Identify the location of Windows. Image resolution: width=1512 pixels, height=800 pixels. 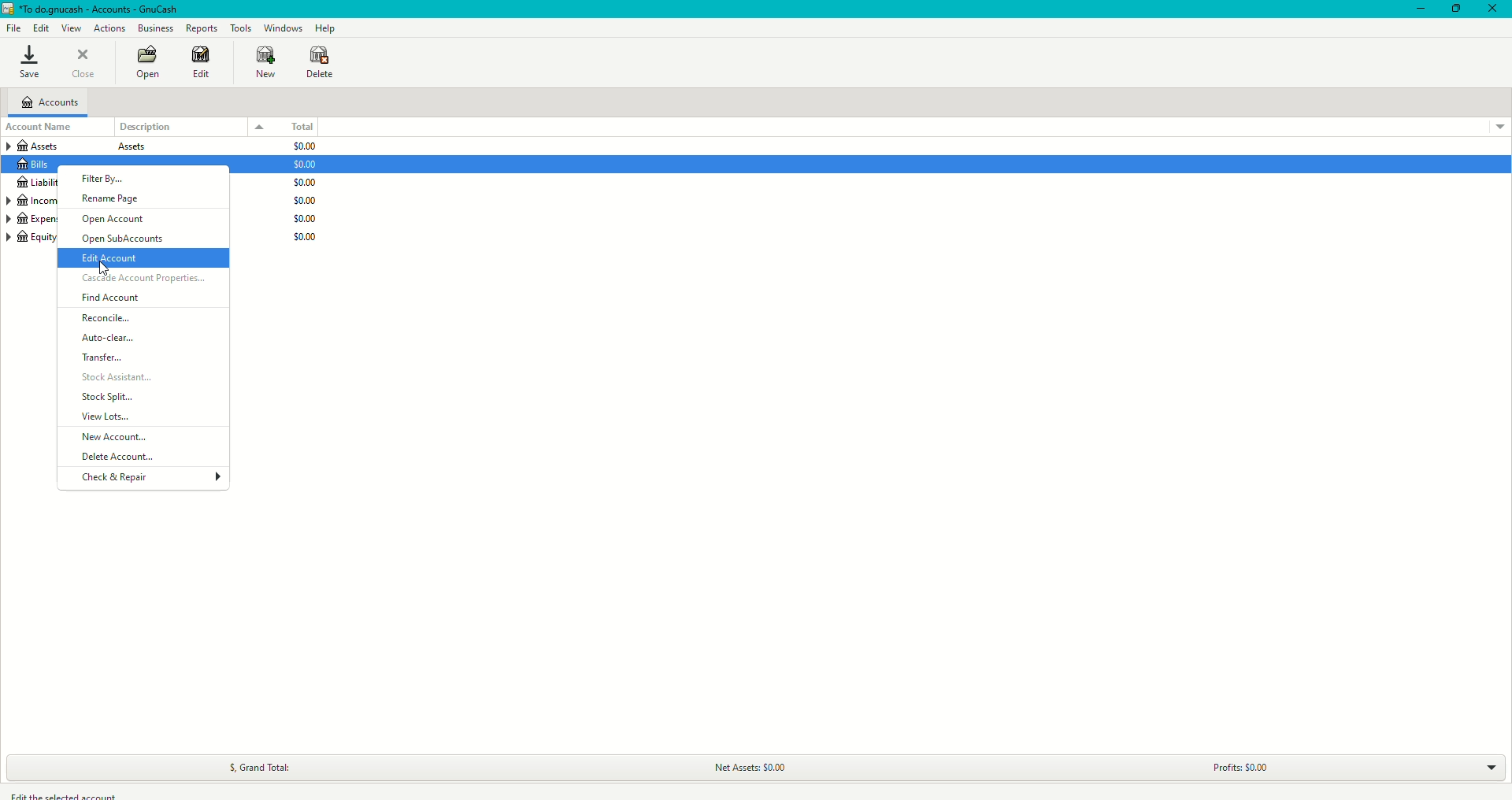
(283, 28).